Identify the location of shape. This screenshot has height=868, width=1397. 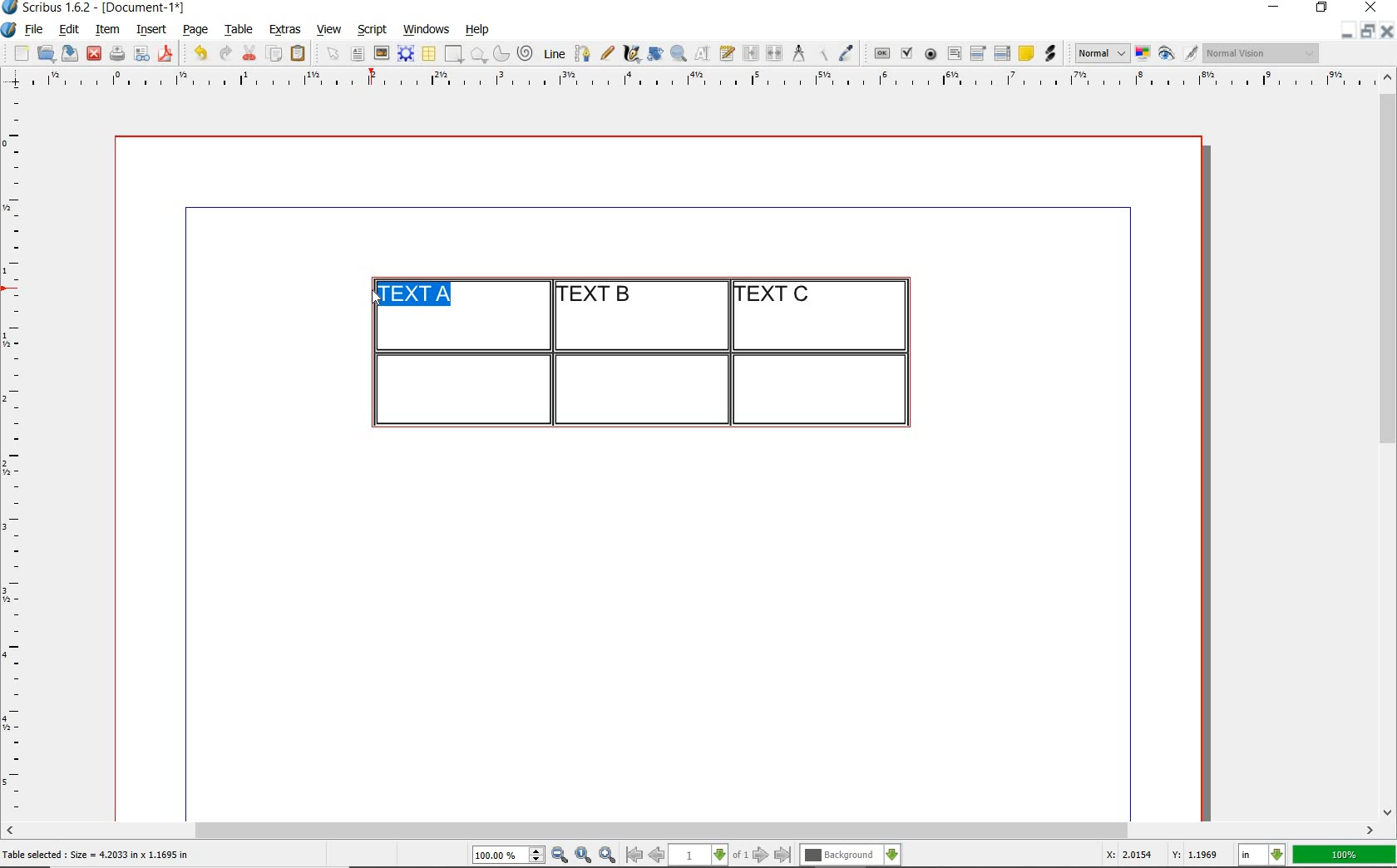
(456, 55).